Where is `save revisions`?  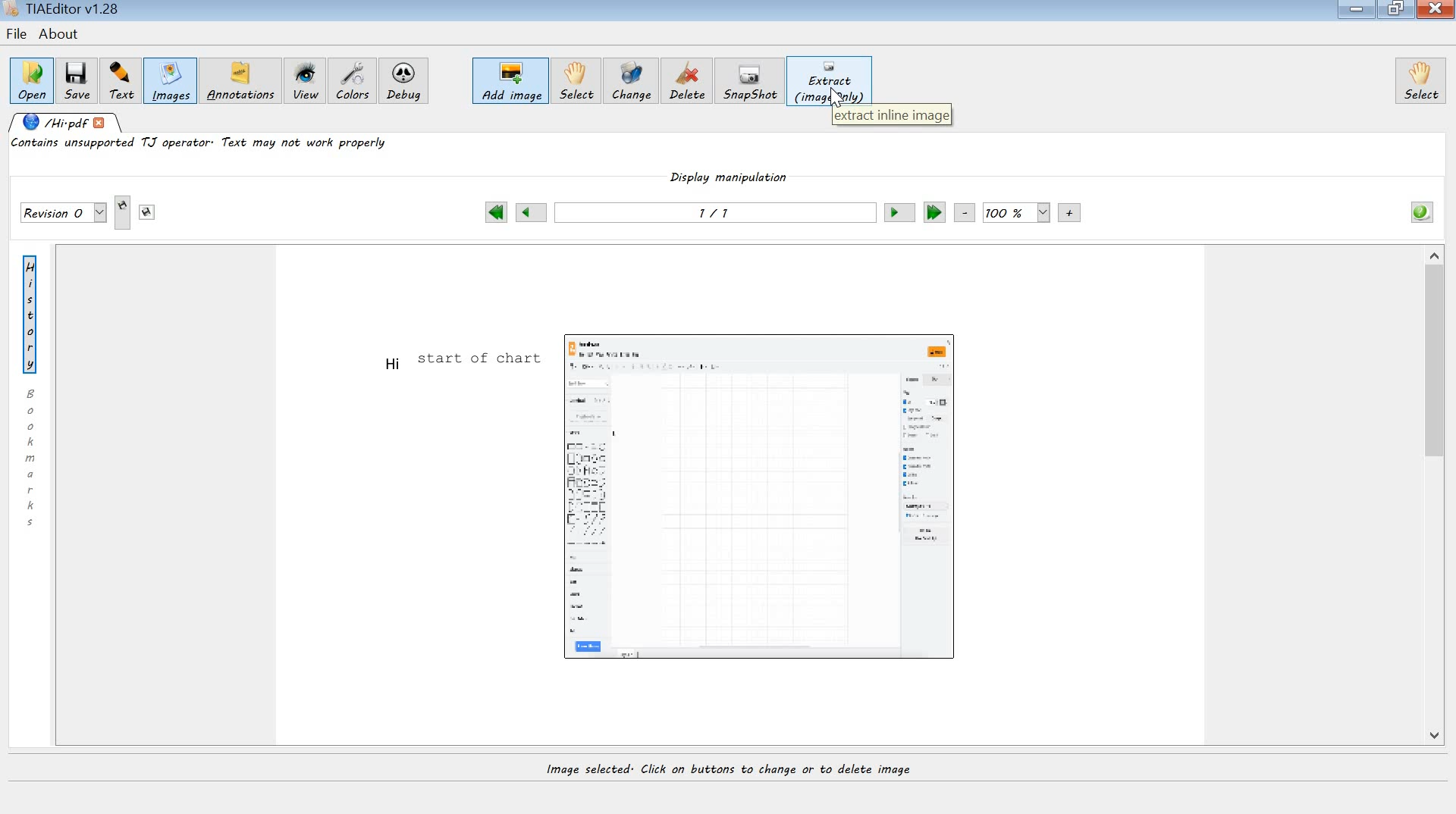 save revisions is located at coordinates (63, 214).